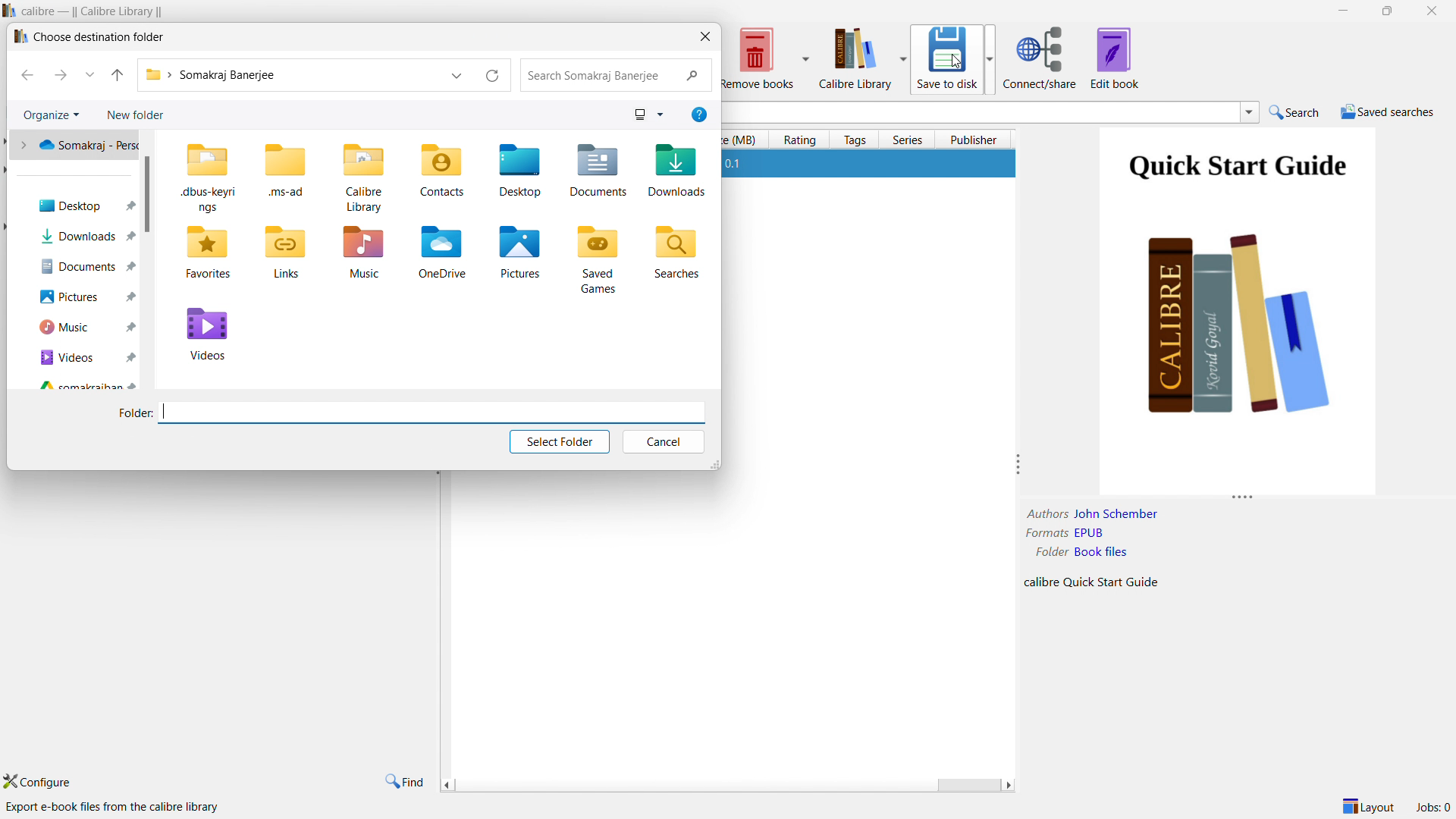 This screenshot has height=819, width=1456. I want to click on Desktop, so click(523, 172).